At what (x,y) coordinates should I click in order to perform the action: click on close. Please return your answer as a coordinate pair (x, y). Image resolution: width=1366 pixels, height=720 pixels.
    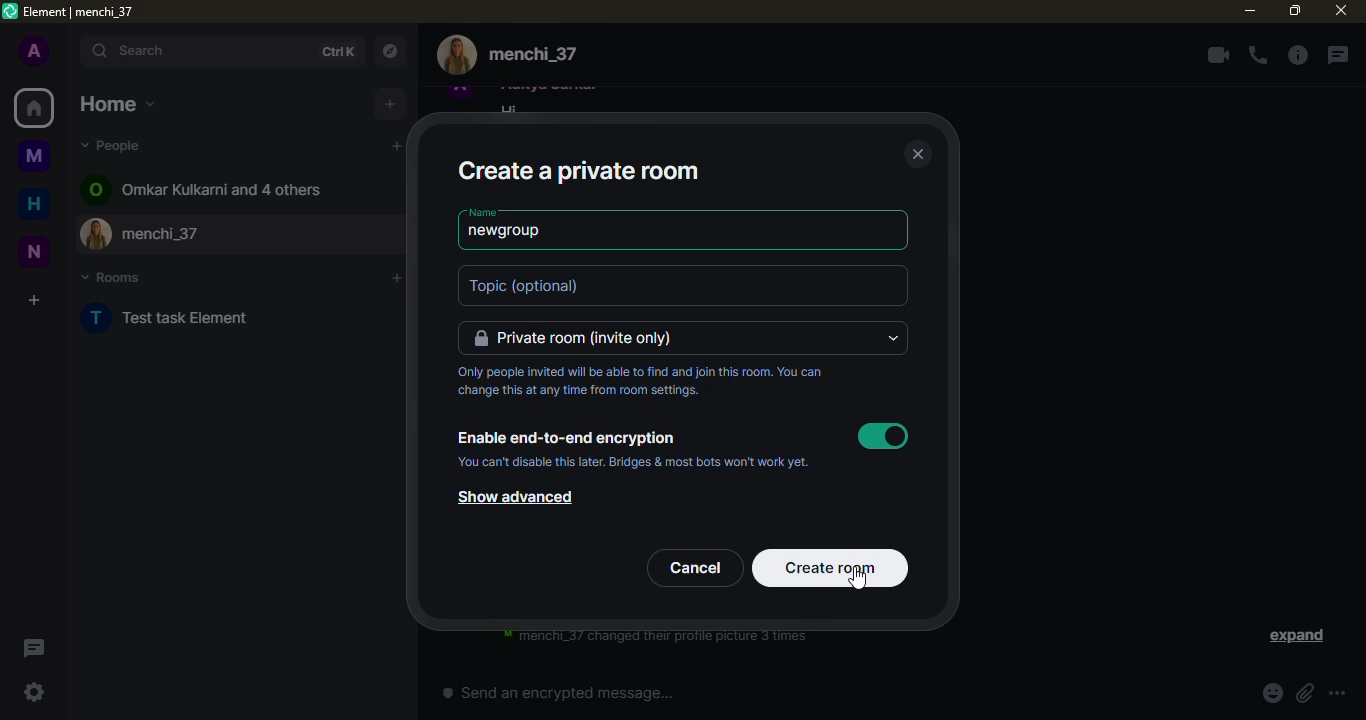
    Looking at the image, I should click on (918, 153).